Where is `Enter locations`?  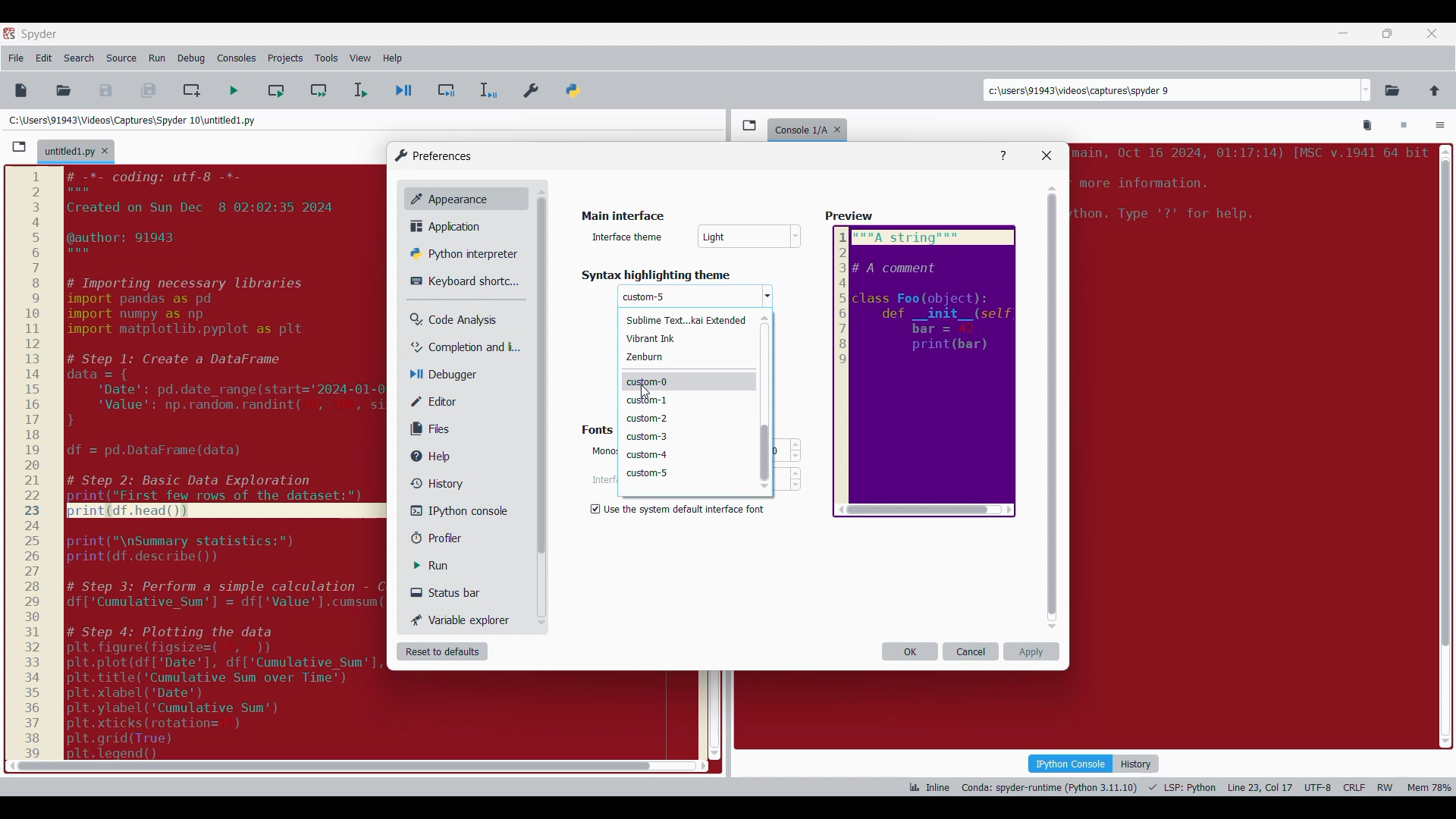 Enter locations is located at coordinates (1171, 90).